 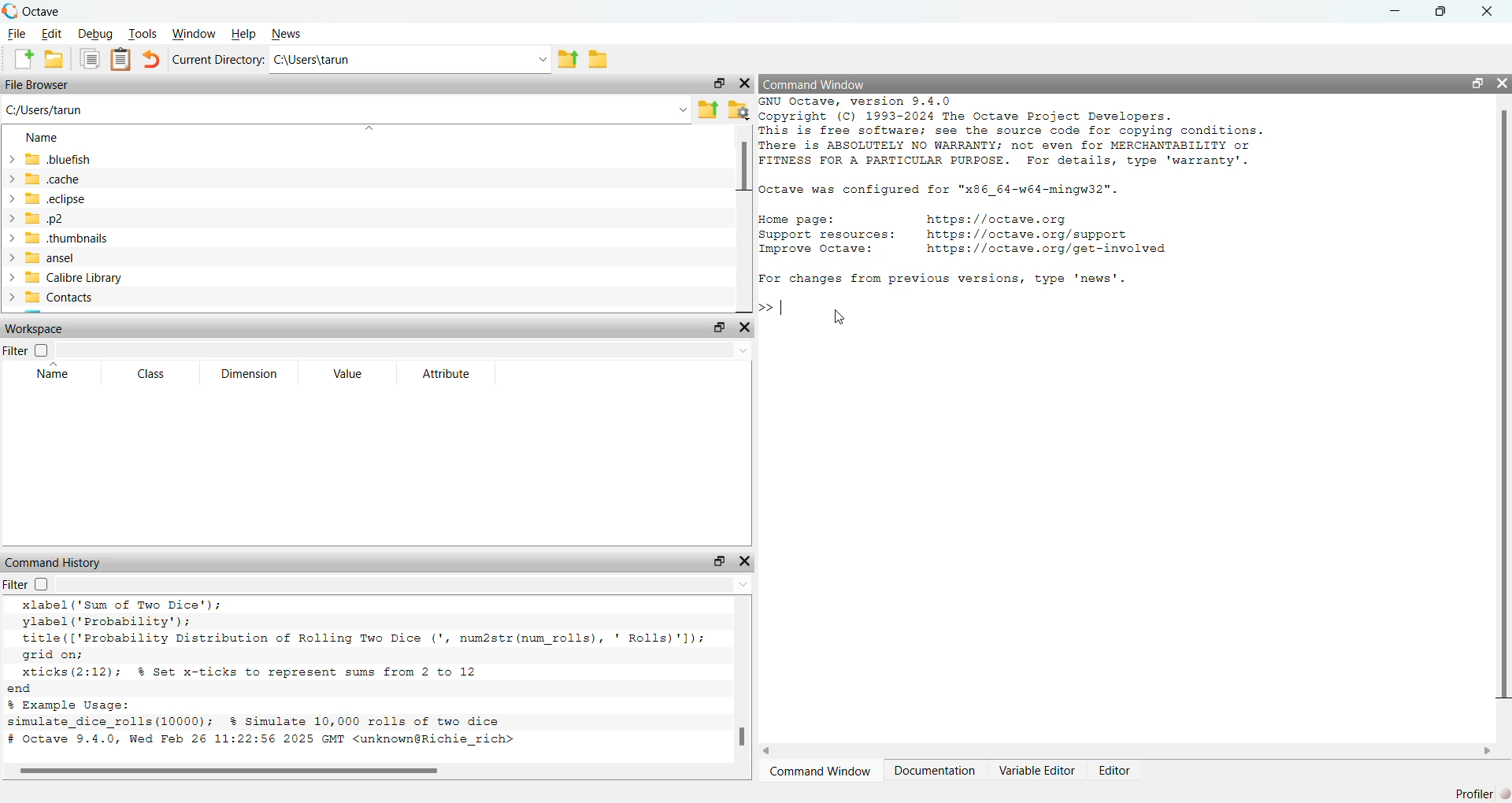 I want to click on Maximize, so click(x=717, y=560).